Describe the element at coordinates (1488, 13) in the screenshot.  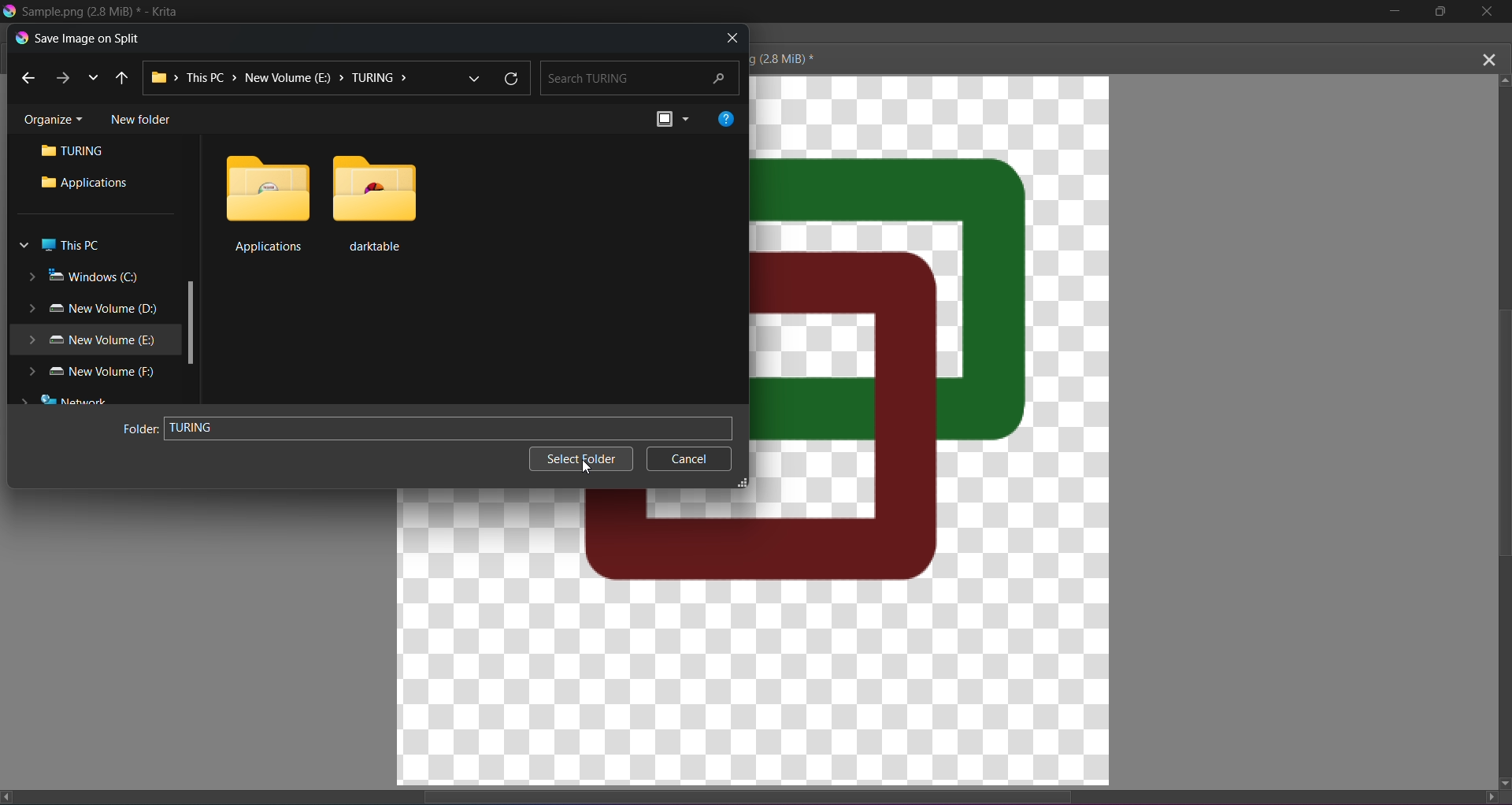
I see `Close` at that location.